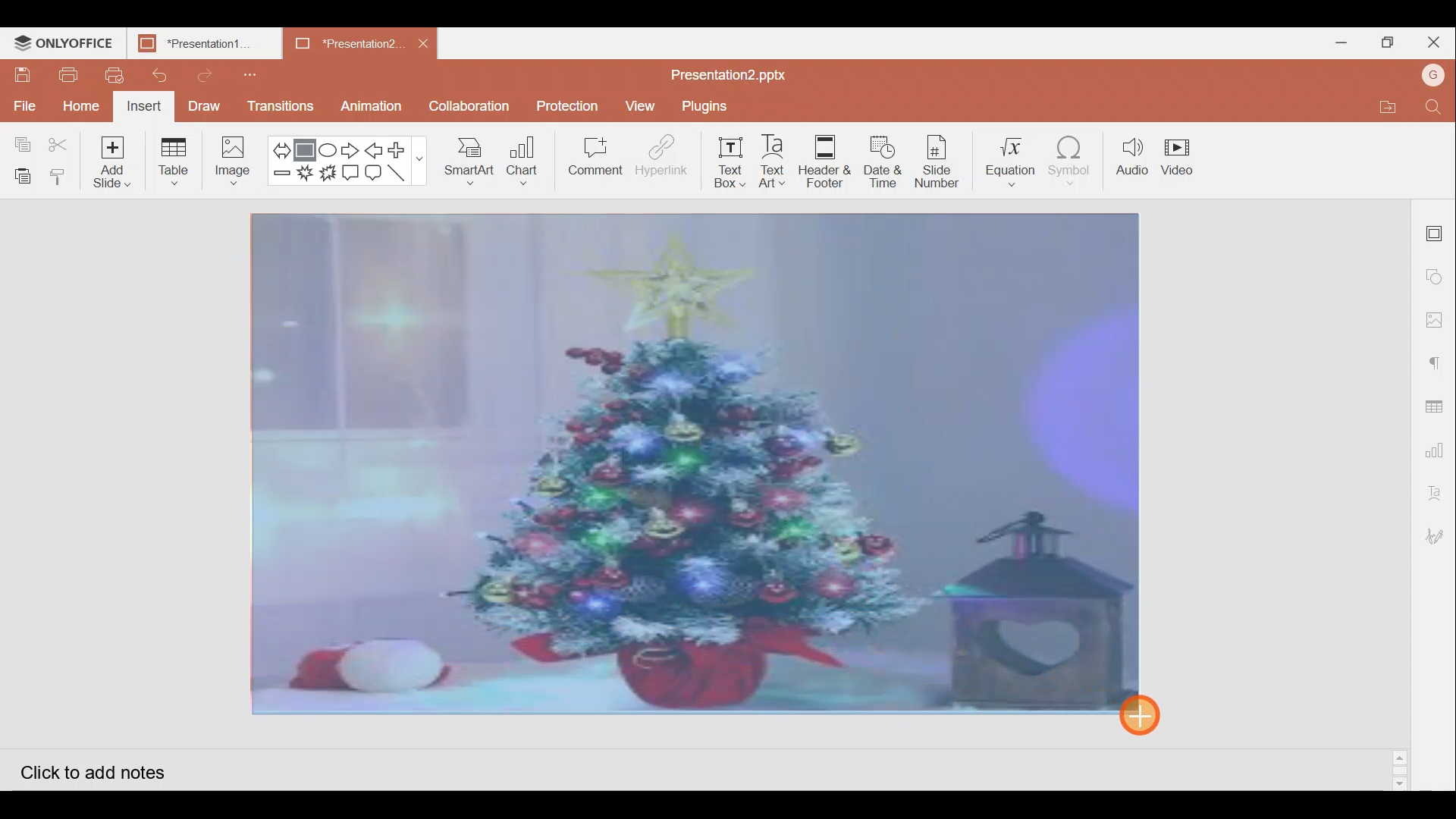 Image resolution: width=1456 pixels, height=819 pixels. I want to click on Explosion 2, so click(328, 178).